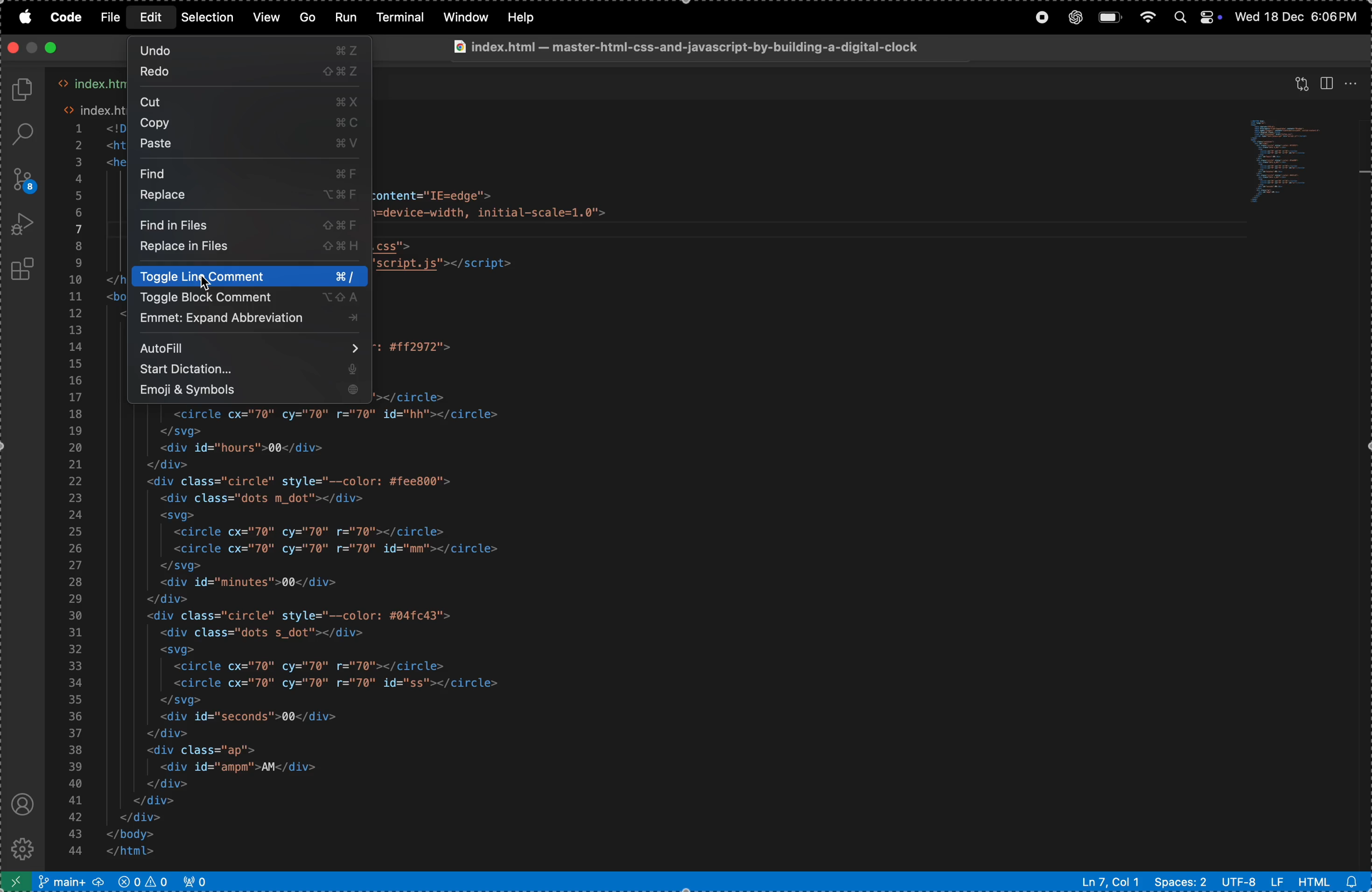 This screenshot has height=892, width=1372. What do you see at coordinates (70, 882) in the screenshot?
I see `main repo` at bounding box center [70, 882].